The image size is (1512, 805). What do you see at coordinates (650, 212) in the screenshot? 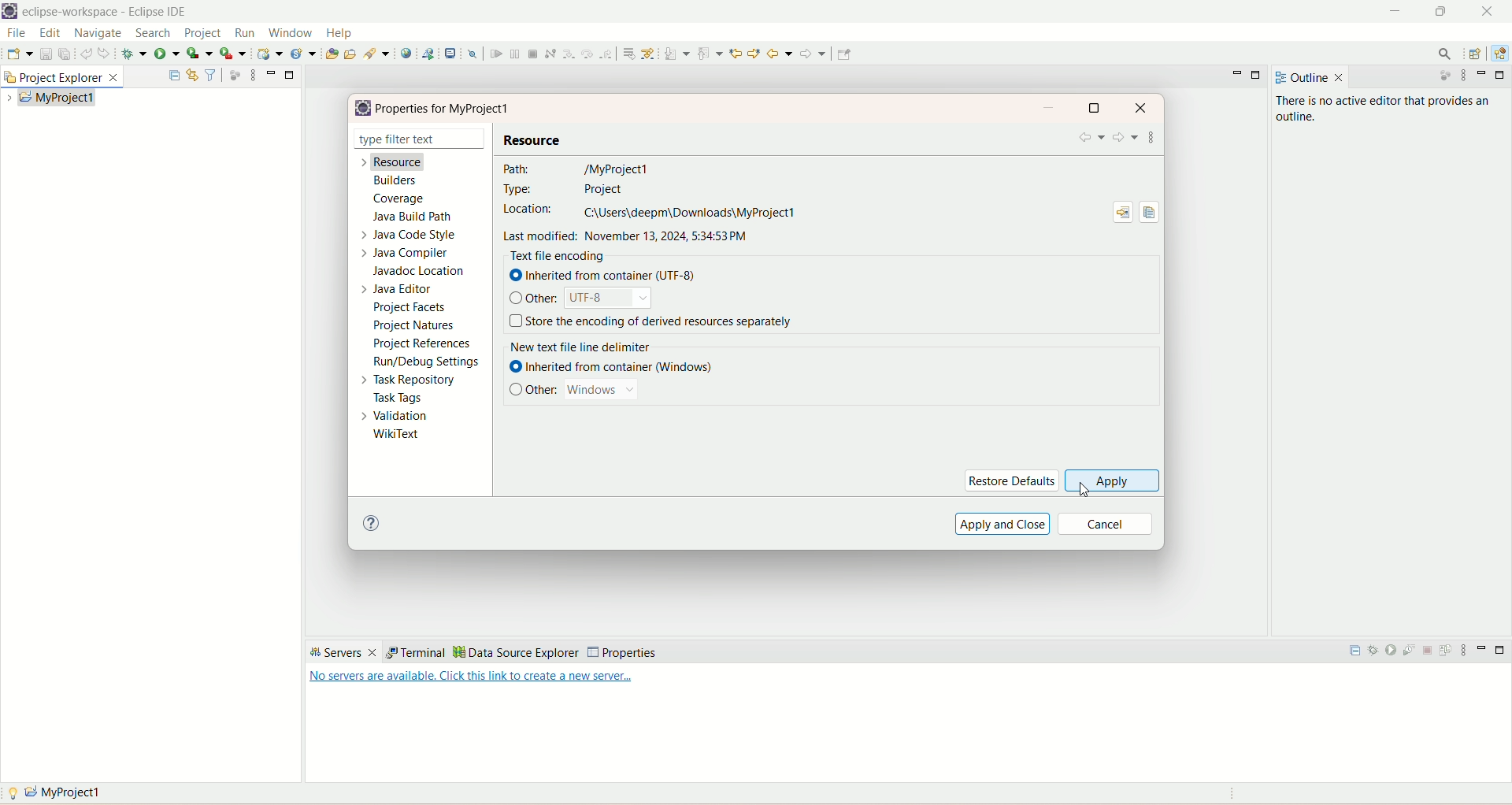
I see `location` at bounding box center [650, 212].